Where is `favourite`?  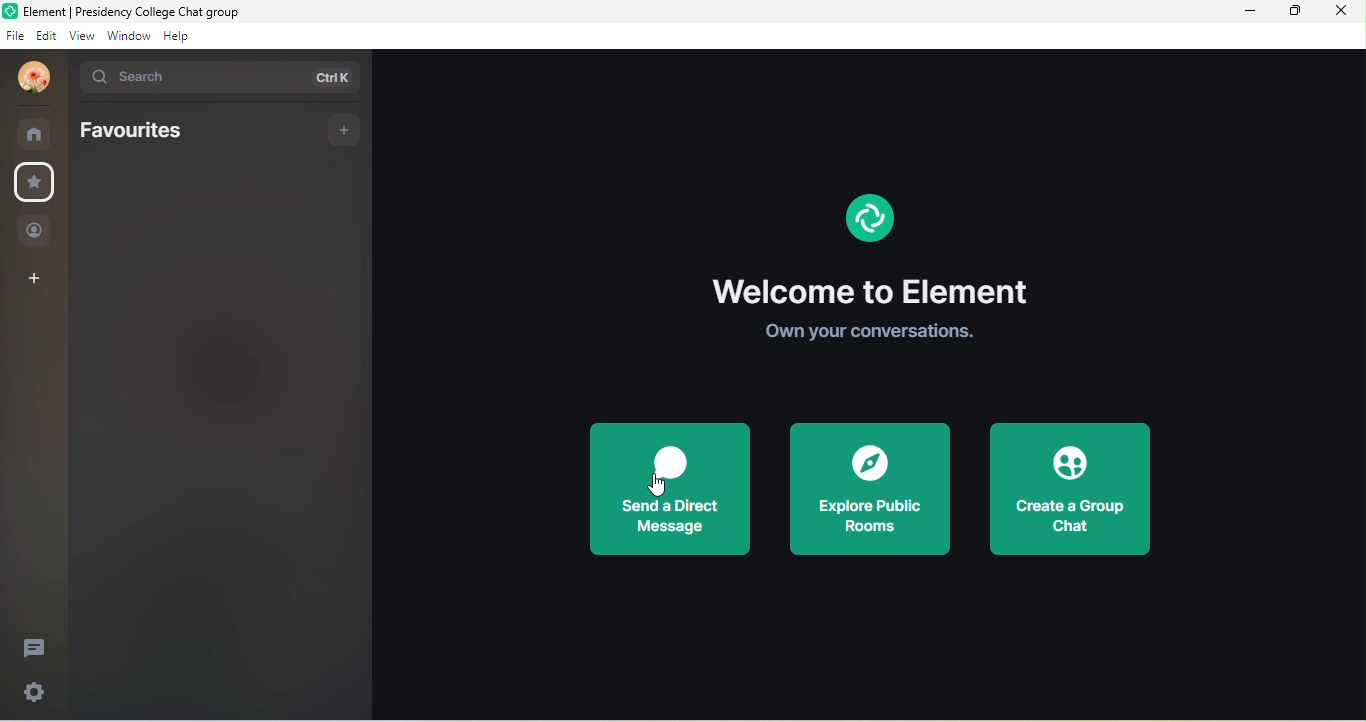
favourite is located at coordinates (38, 181).